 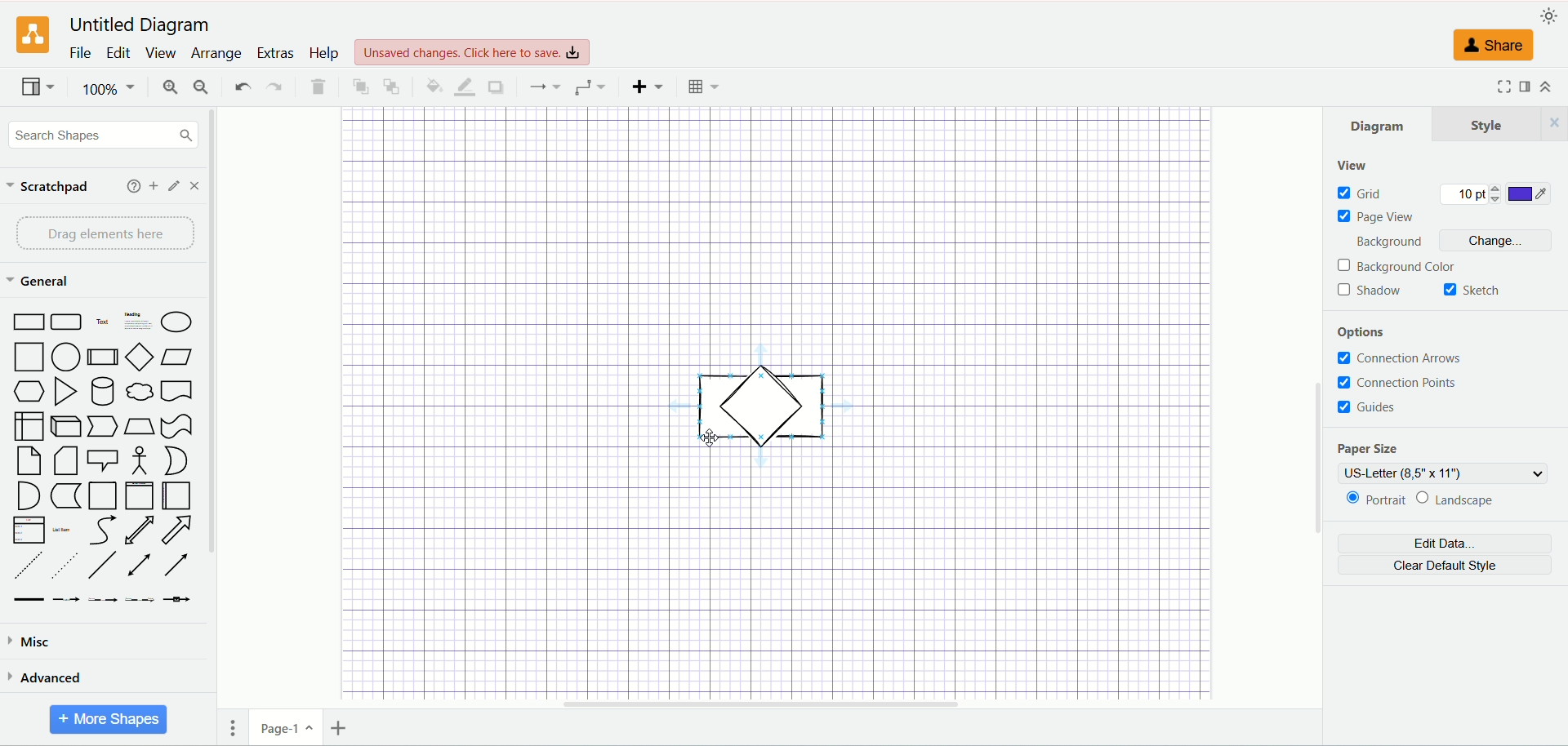 I want to click on canvas, so click(x=770, y=236).